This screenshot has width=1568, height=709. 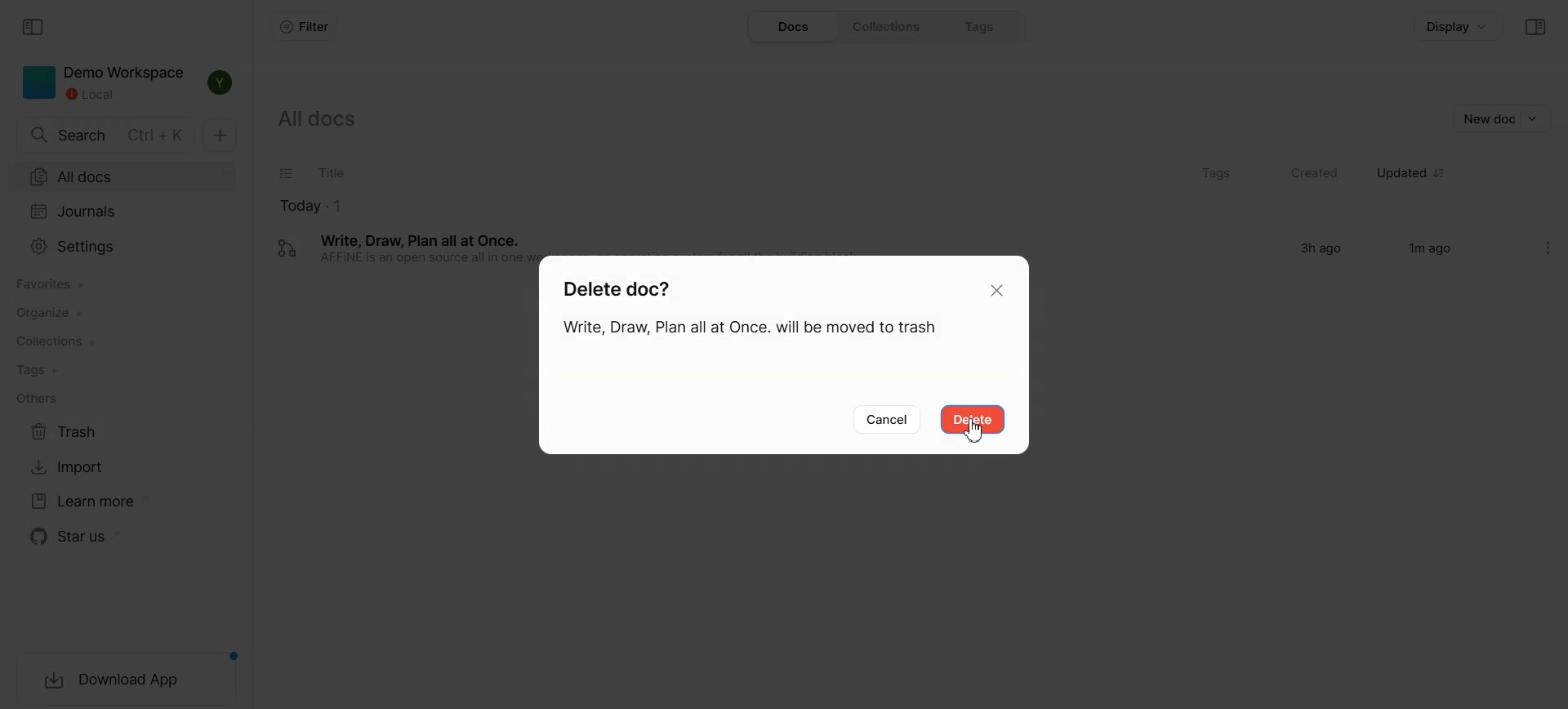 I want to click on 1m ago, so click(x=1428, y=248).